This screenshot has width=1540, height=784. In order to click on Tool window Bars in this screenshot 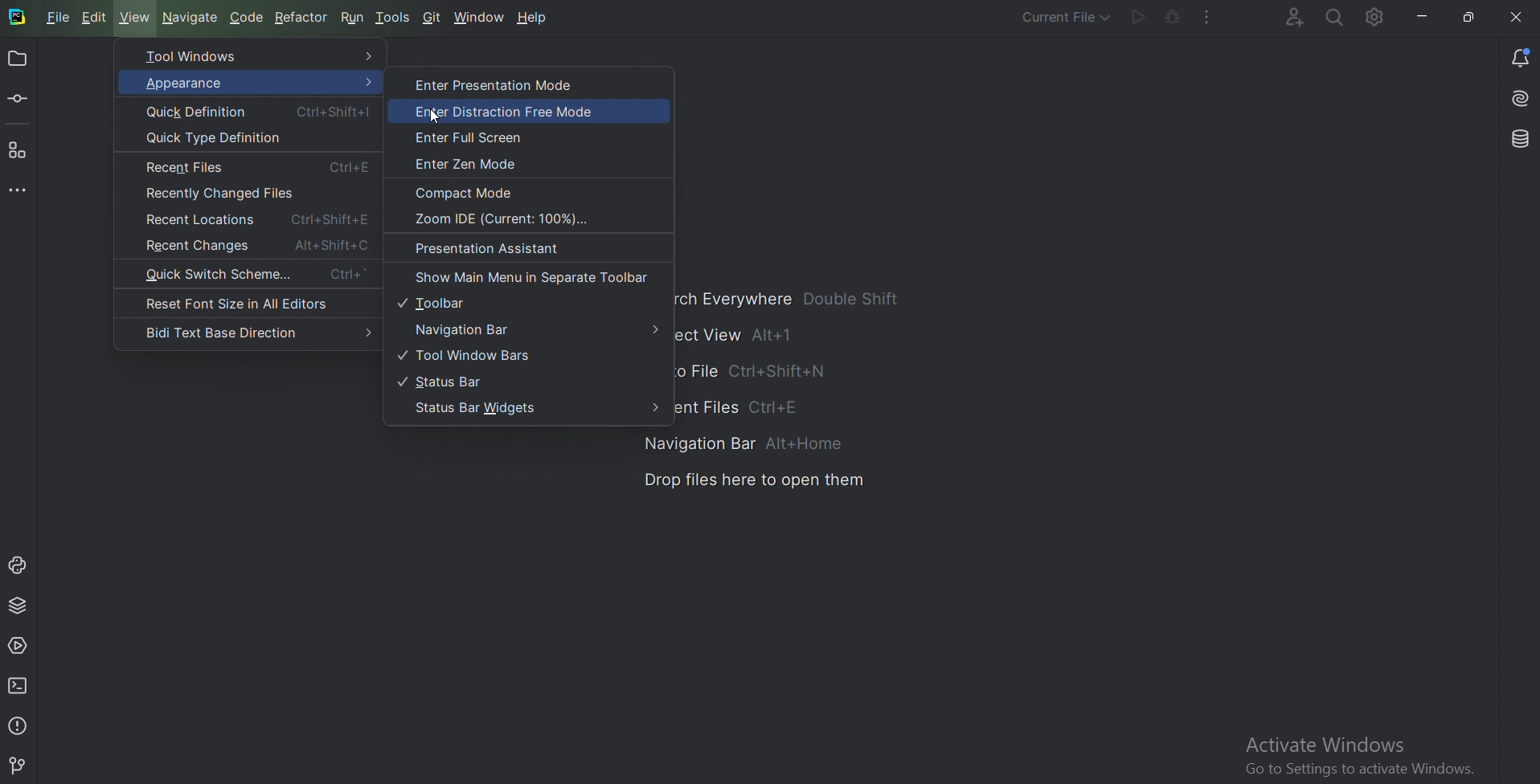, I will do `click(475, 354)`.